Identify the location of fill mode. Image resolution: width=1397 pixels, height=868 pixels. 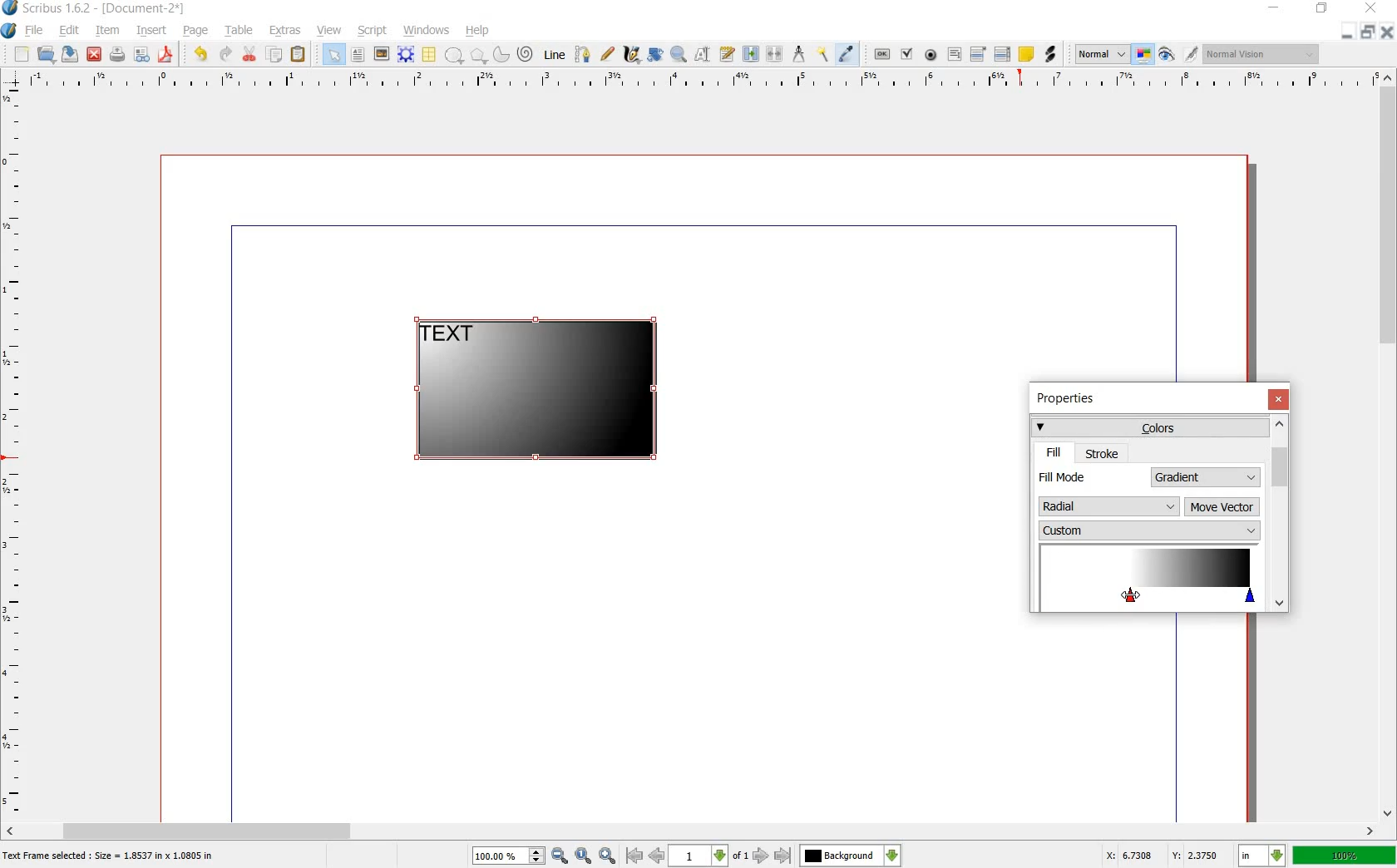
(1091, 476).